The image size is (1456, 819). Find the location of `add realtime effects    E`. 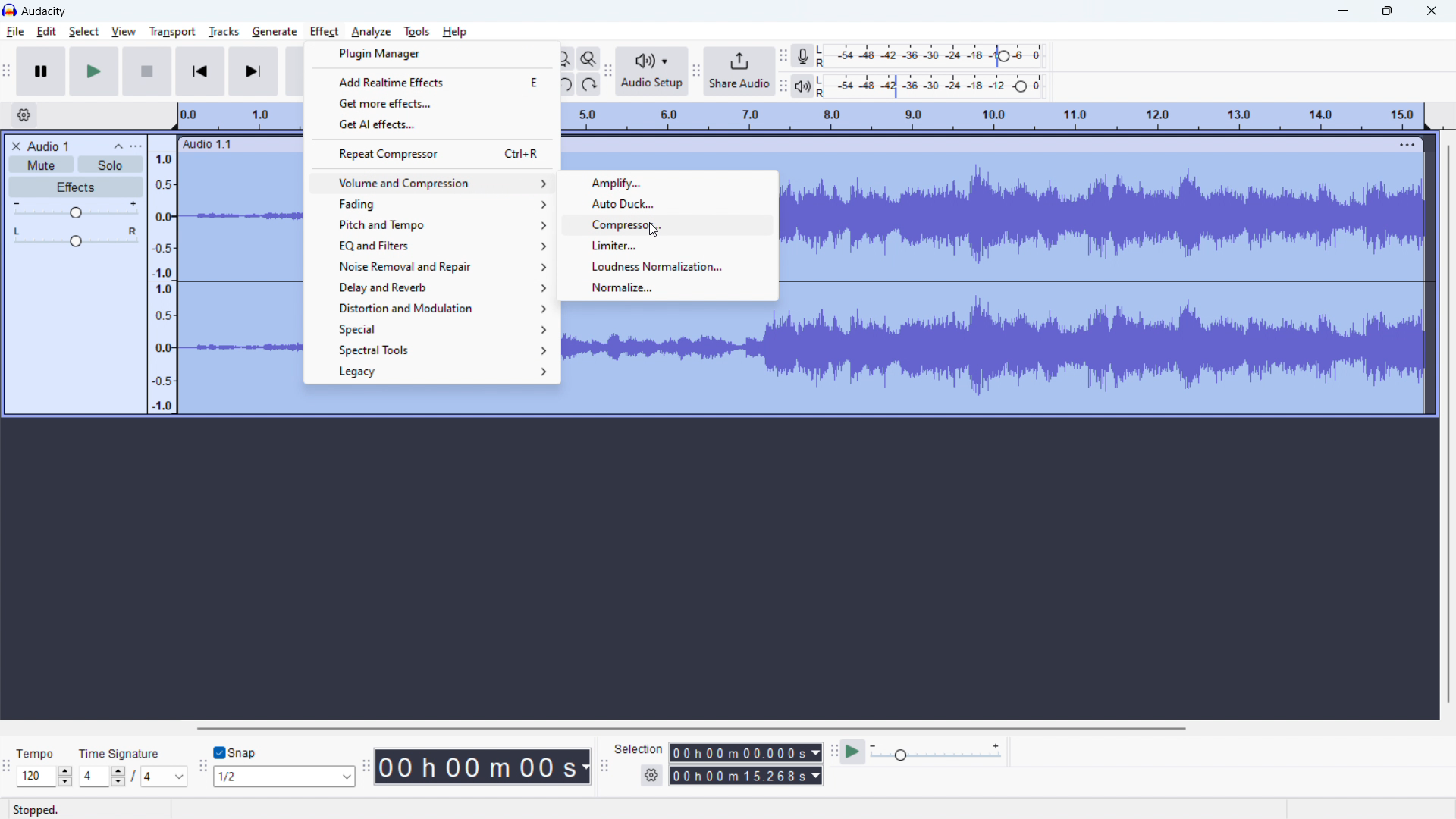

add realtime effects    E is located at coordinates (432, 81).